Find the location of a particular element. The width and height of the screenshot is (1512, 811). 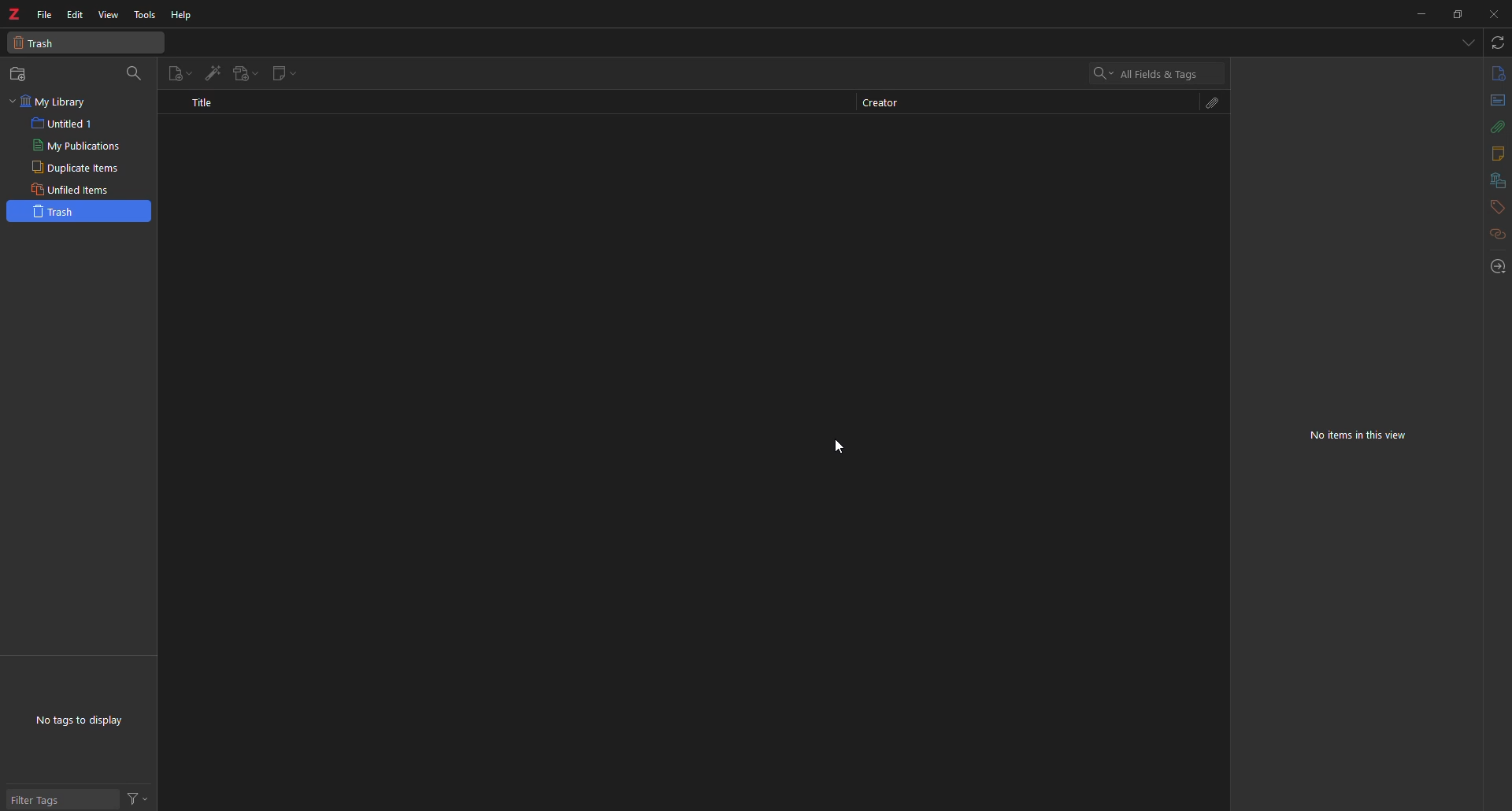

trash is located at coordinates (79, 210).